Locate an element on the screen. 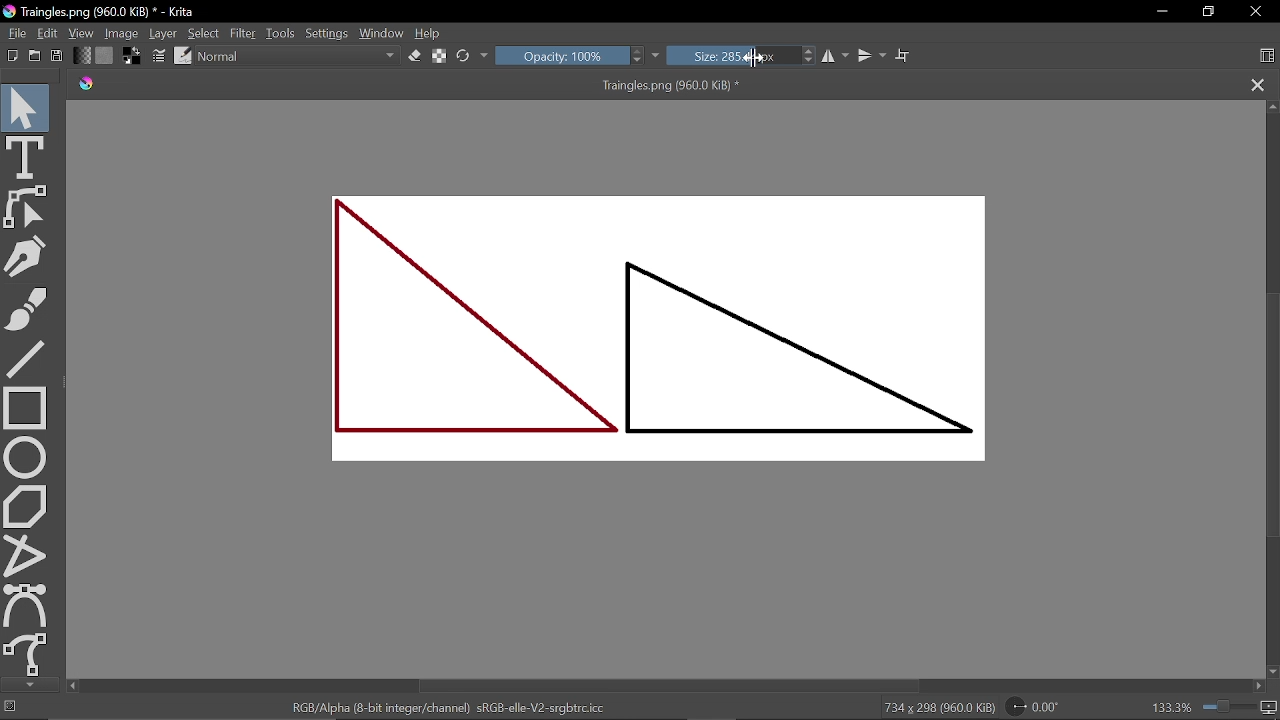  Two triangles is located at coordinates (675, 337).